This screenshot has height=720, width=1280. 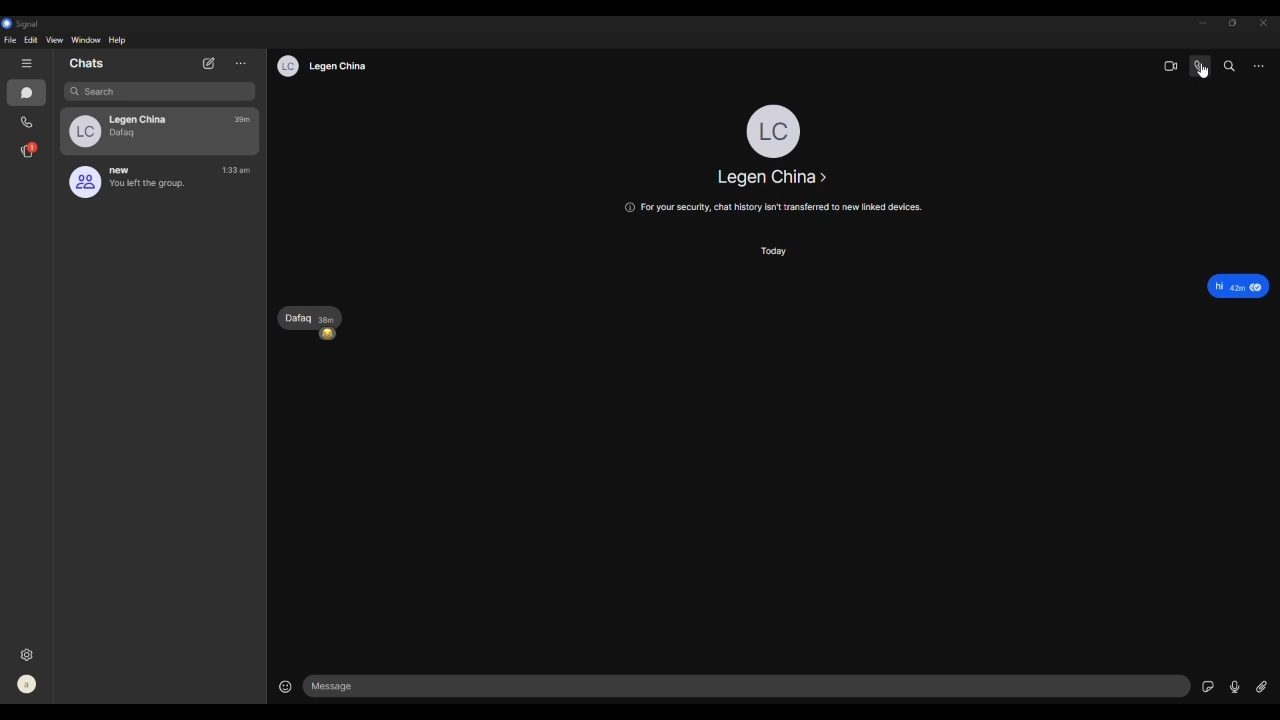 What do you see at coordinates (1201, 72) in the screenshot?
I see `cursor` at bounding box center [1201, 72].